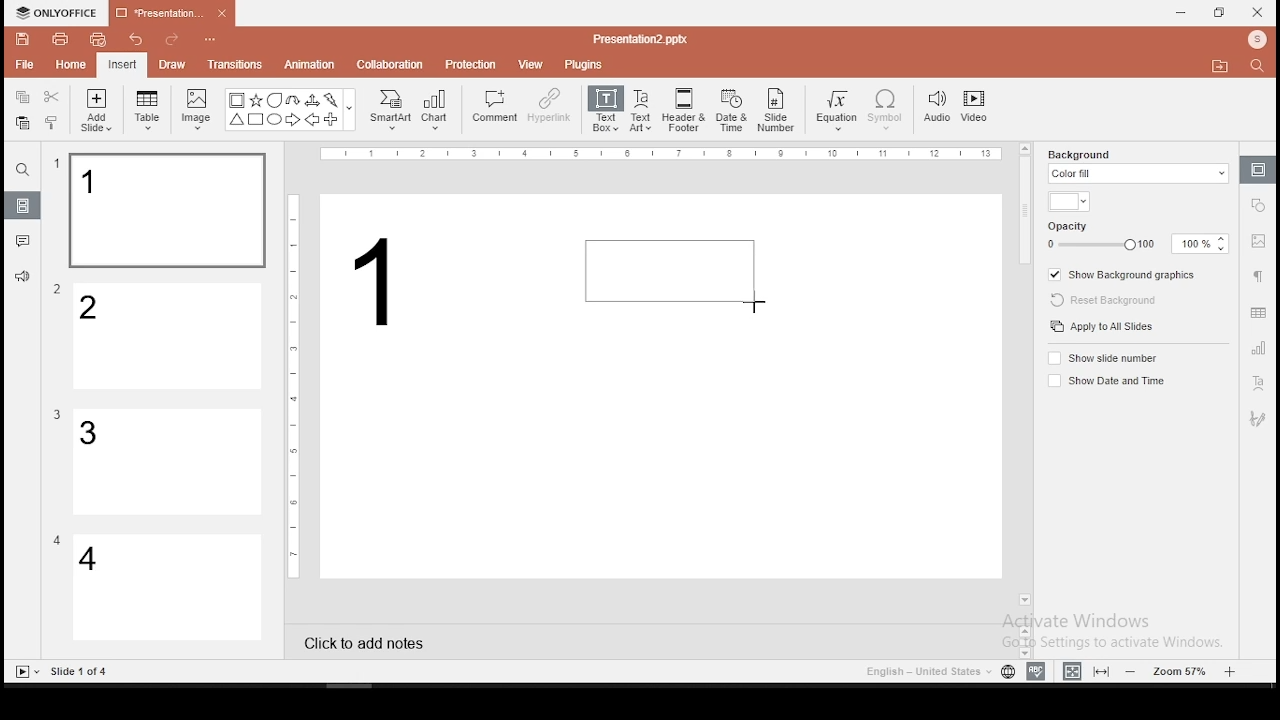 Image resolution: width=1280 pixels, height=720 pixels. I want to click on slide 1, so click(166, 211).